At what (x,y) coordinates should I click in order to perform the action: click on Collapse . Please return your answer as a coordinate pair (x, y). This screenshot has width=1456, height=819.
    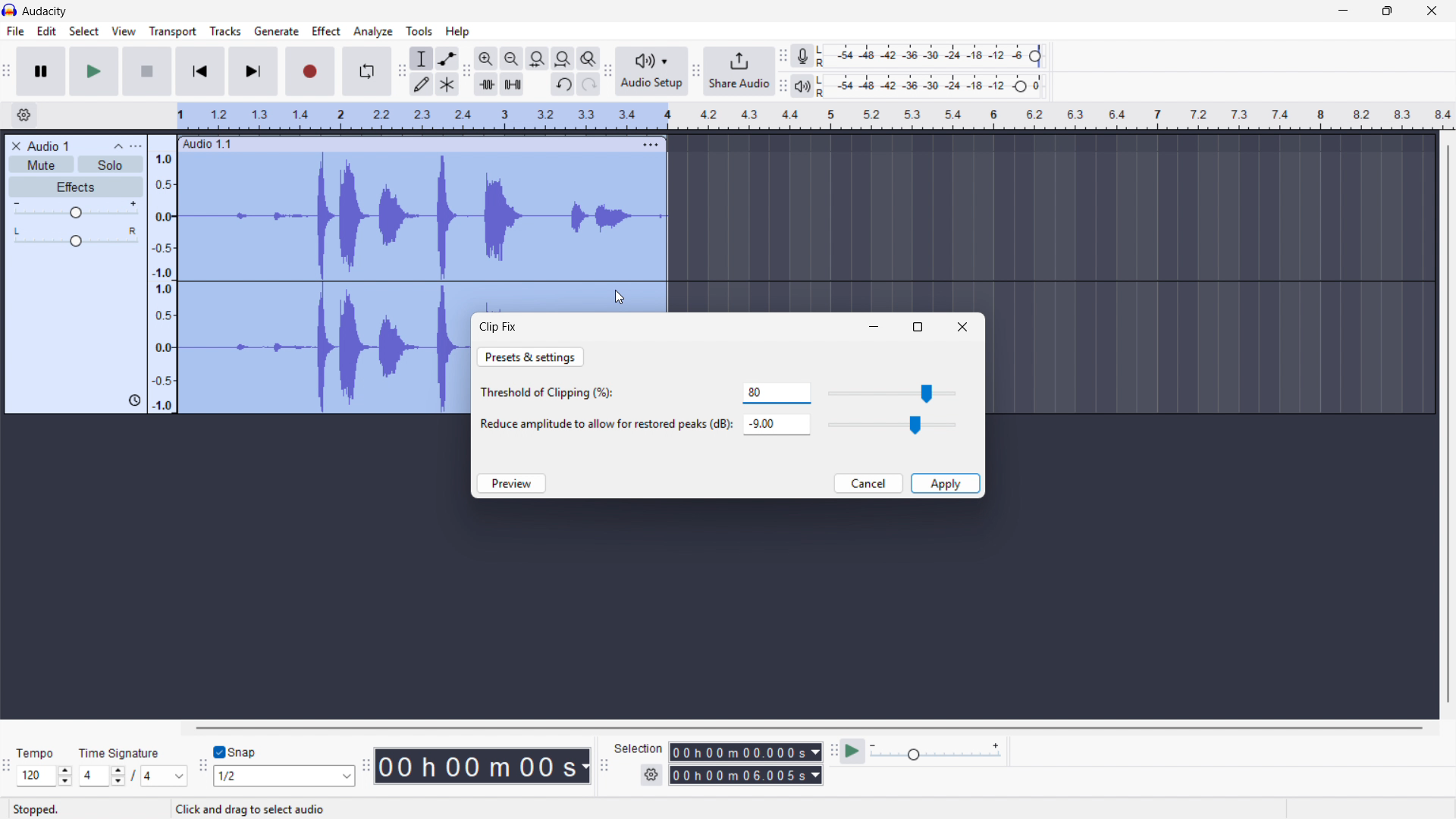
    Looking at the image, I should click on (118, 146).